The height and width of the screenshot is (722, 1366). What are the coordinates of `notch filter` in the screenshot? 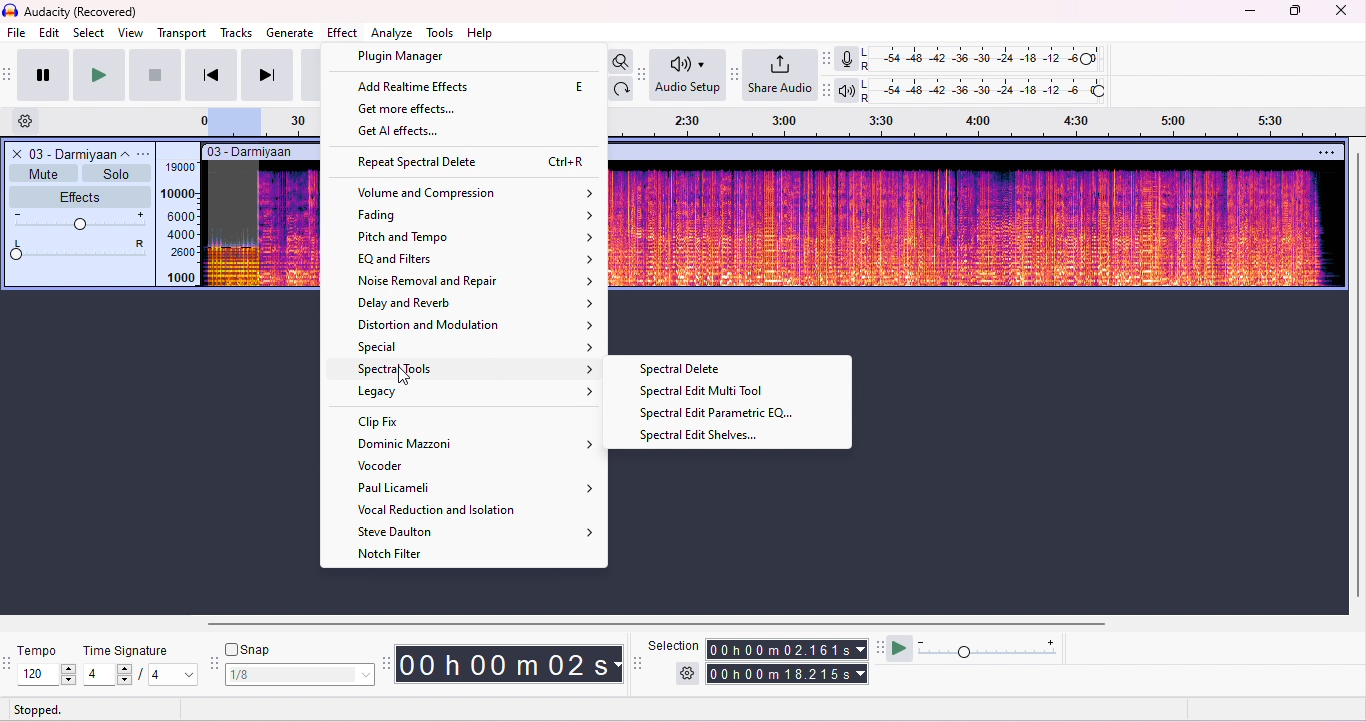 It's located at (391, 554).